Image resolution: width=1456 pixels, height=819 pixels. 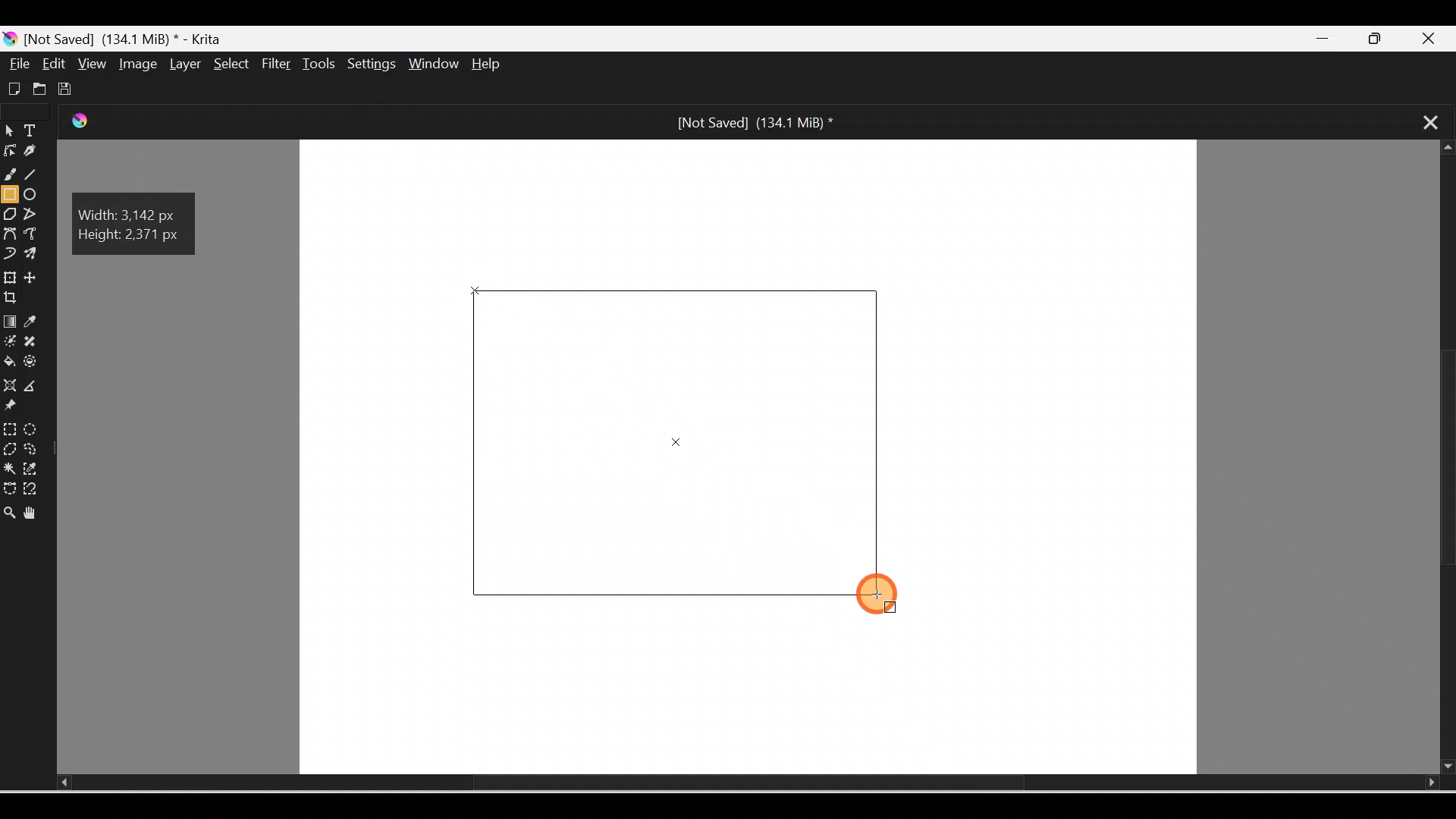 I want to click on Maximize, so click(x=1384, y=39).